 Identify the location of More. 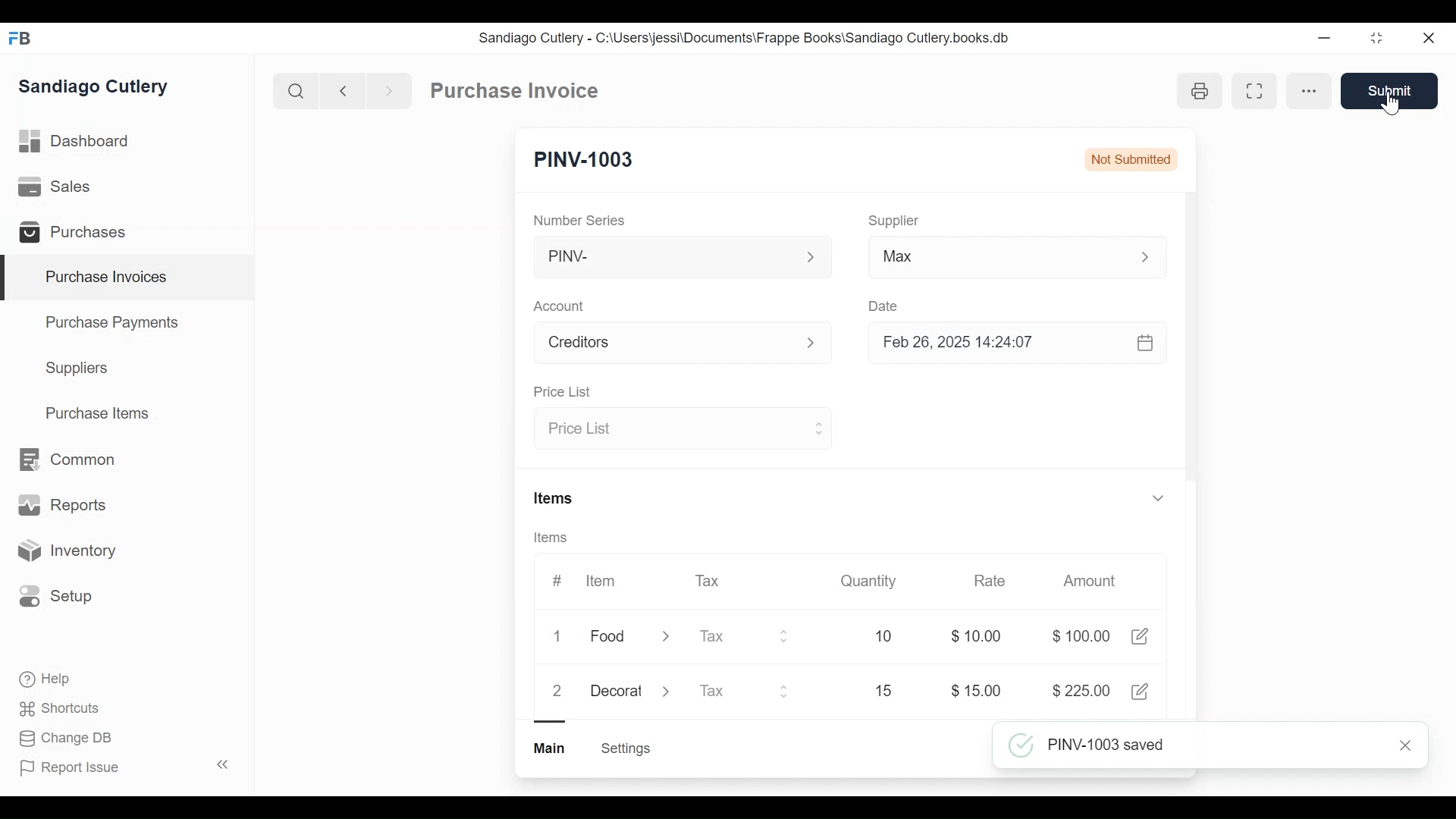
(1310, 91).